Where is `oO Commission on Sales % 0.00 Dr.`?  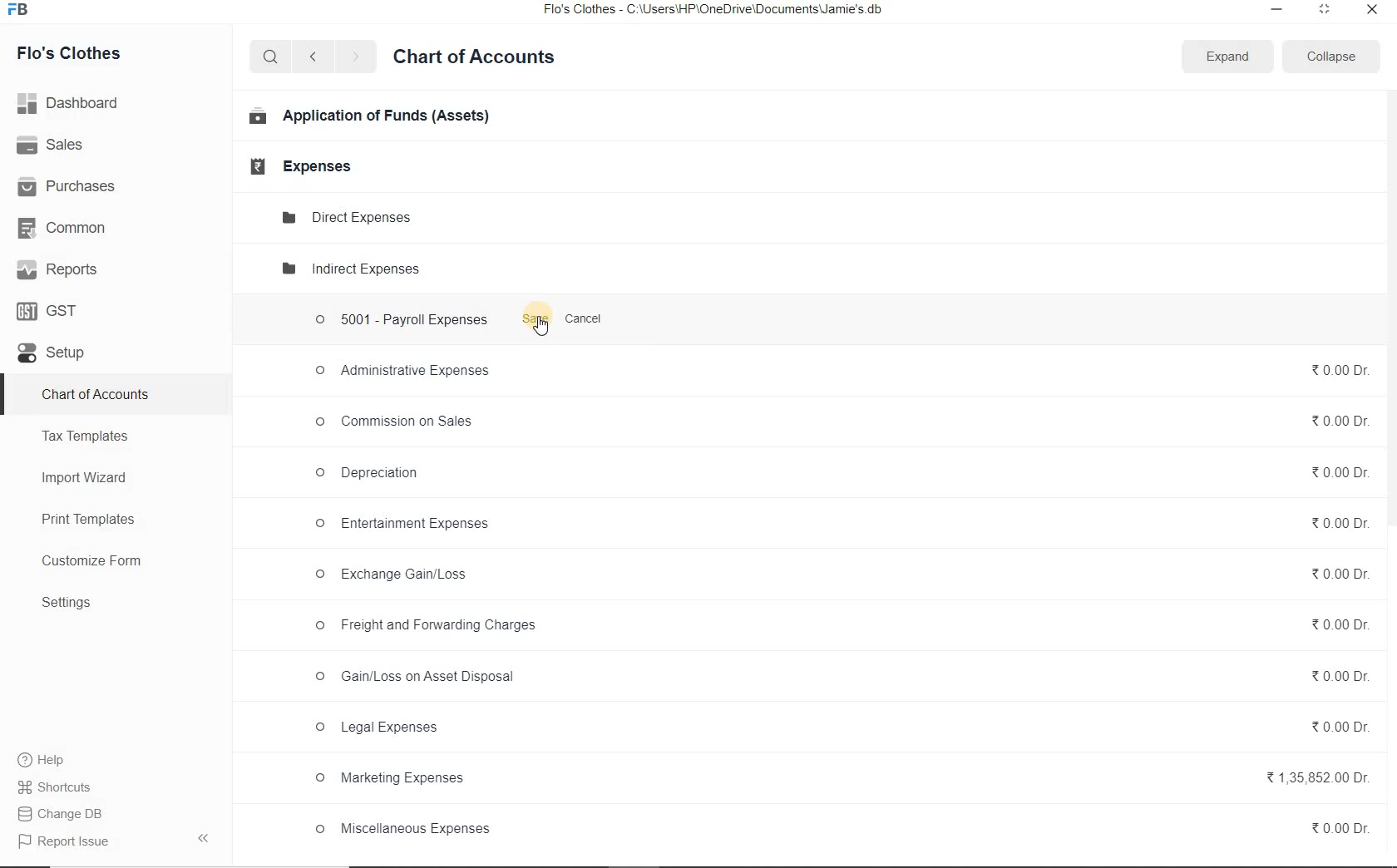 oO Commission on Sales % 0.00 Dr. is located at coordinates (840, 421).